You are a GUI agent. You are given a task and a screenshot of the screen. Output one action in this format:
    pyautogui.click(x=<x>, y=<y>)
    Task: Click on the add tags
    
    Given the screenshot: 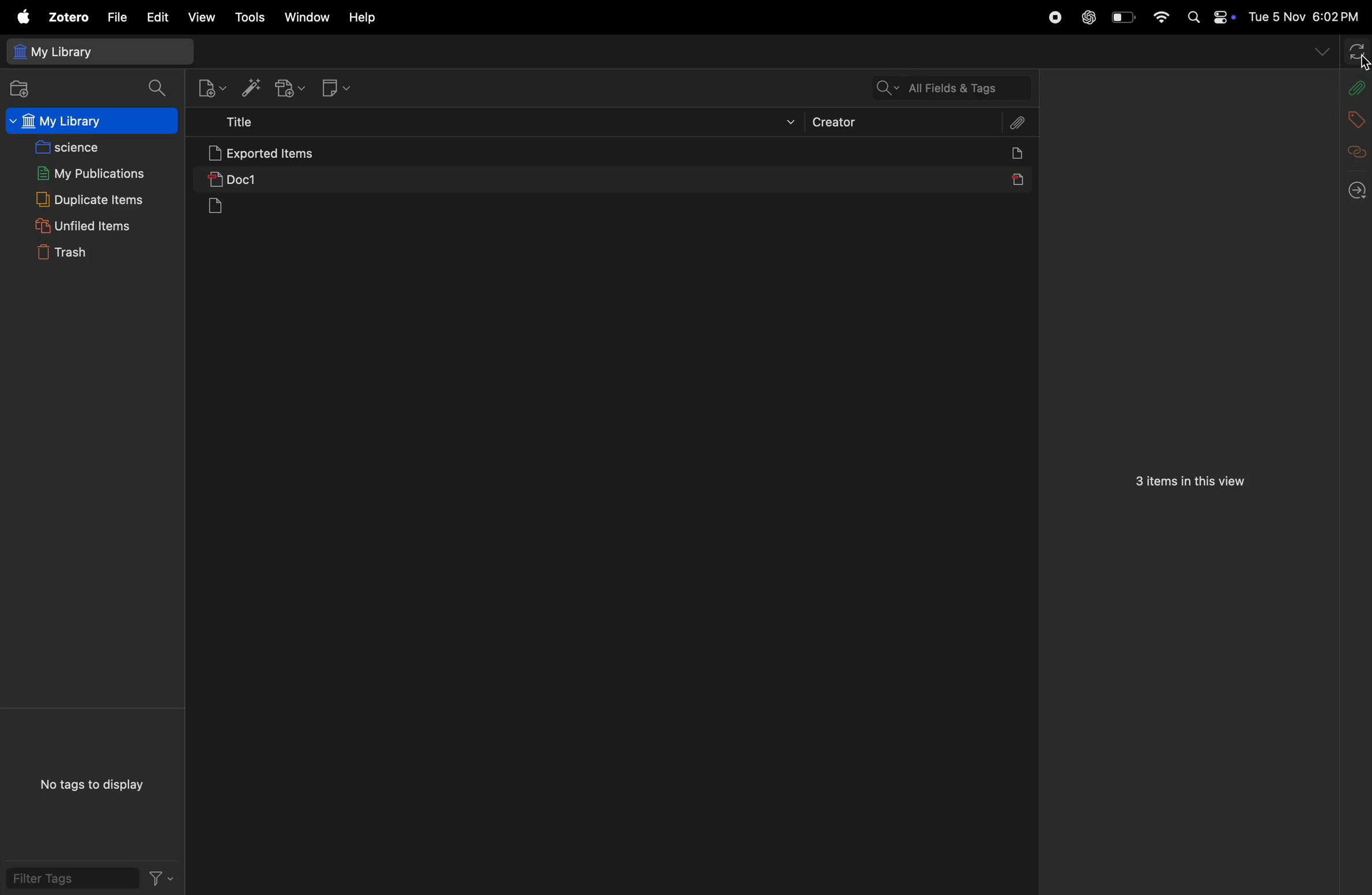 What is the action you would take?
    pyautogui.click(x=1350, y=119)
    